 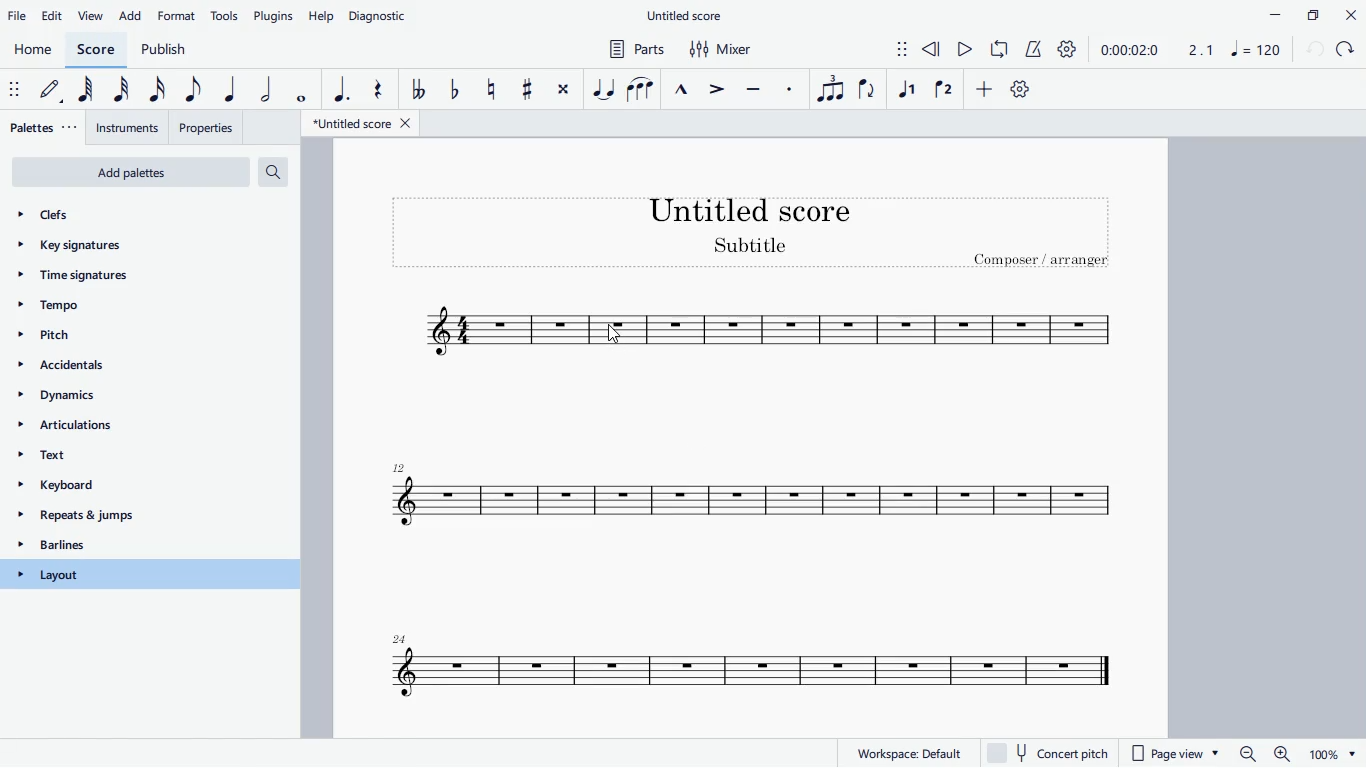 I want to click on repeats & jumps, so click(x=128, y=517).